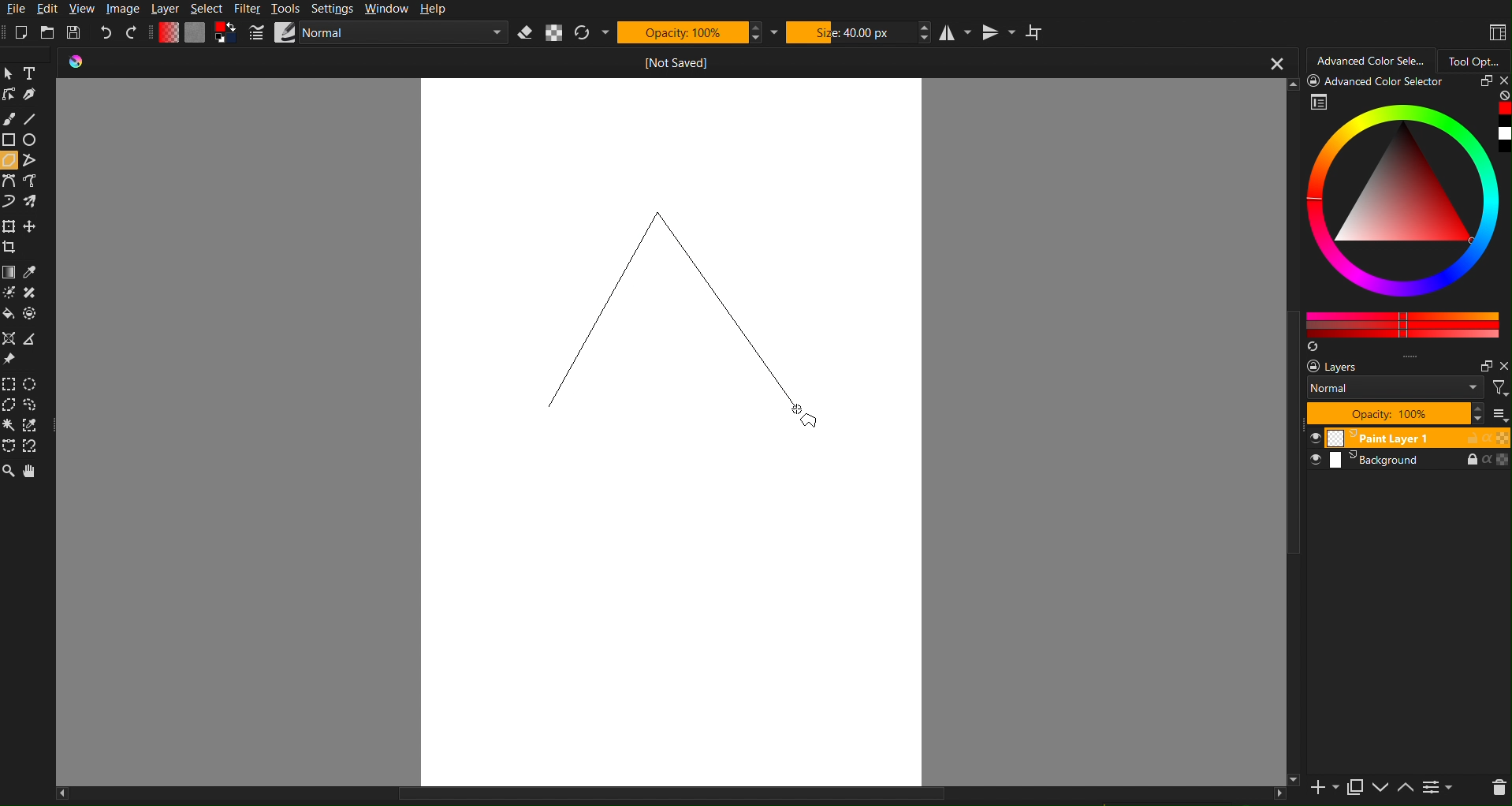 The width and height of the screenshot is (1512, 806). I want to click on Brush Settings, so click(378, 34).